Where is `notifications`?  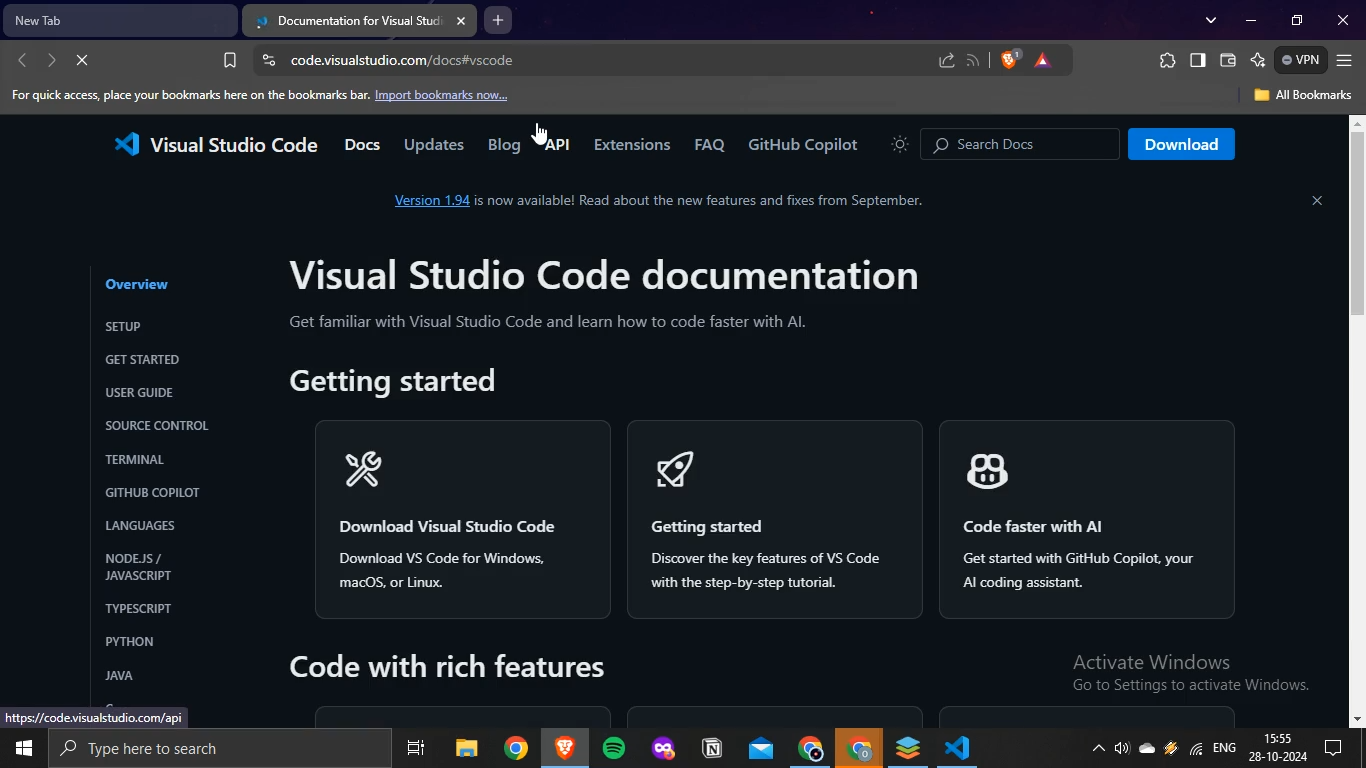 notifications is located at coordinates (1342, 749).